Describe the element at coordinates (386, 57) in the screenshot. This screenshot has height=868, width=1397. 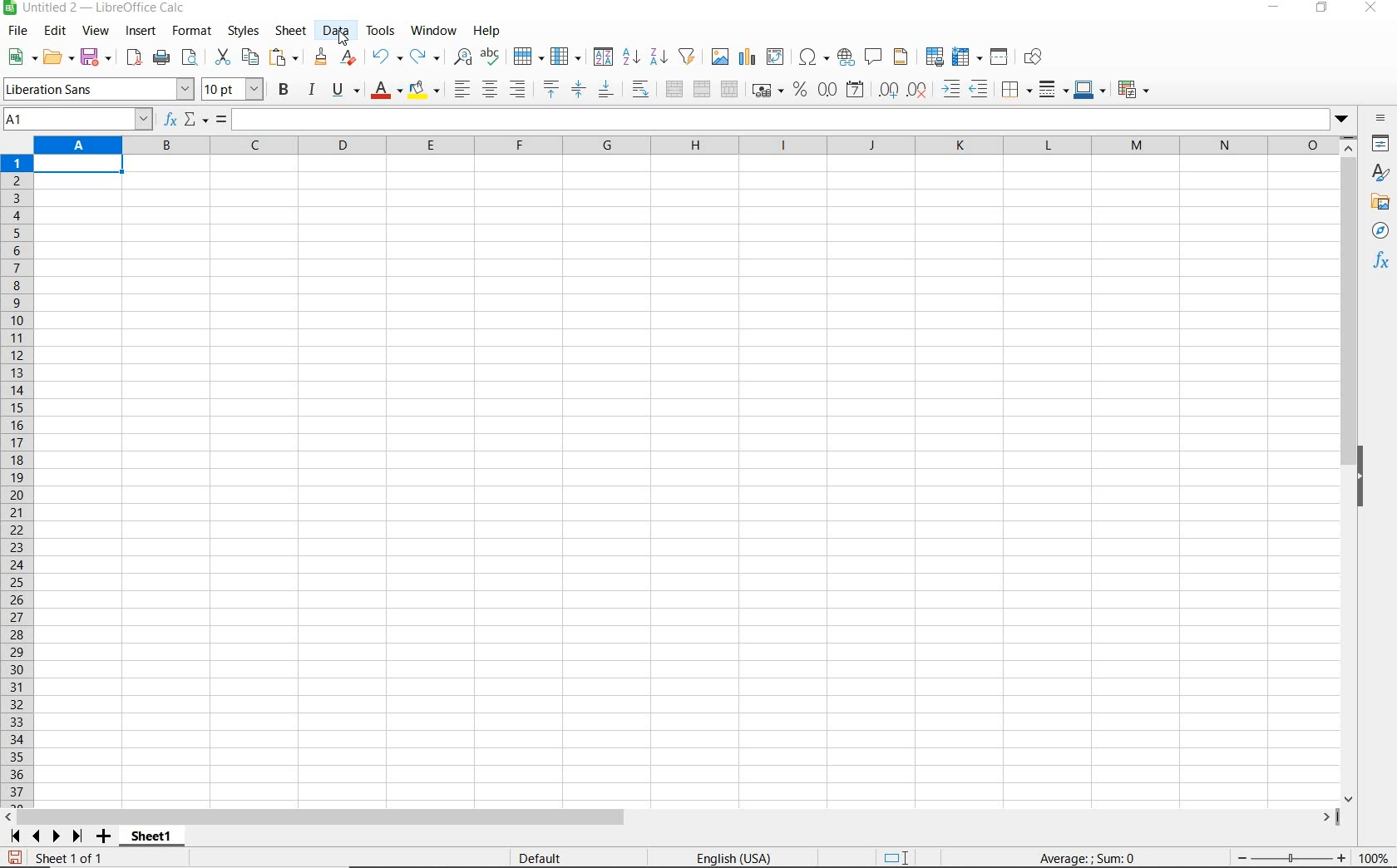
I see `undo` at that location.